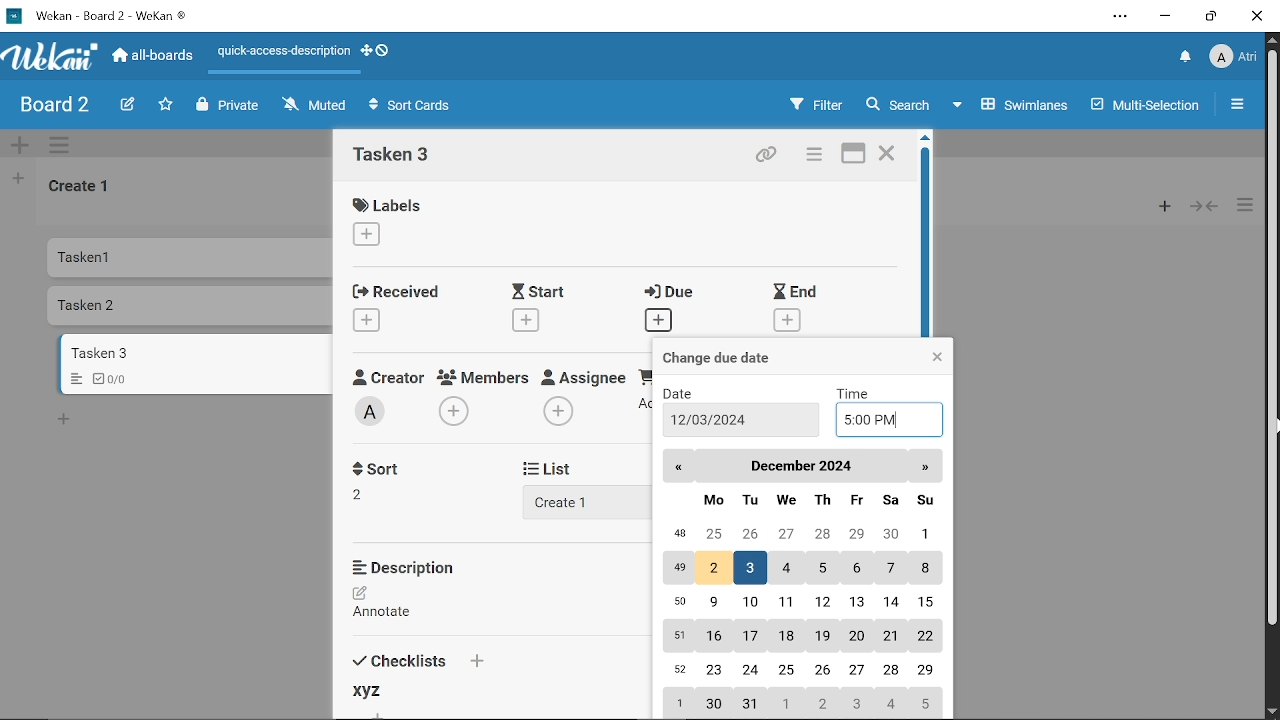 The height and width of the screenshot is (720, 1280). Describe the element at coordinates (382, 52) in the screenshot. I see `show desktop drag handles` at that location.